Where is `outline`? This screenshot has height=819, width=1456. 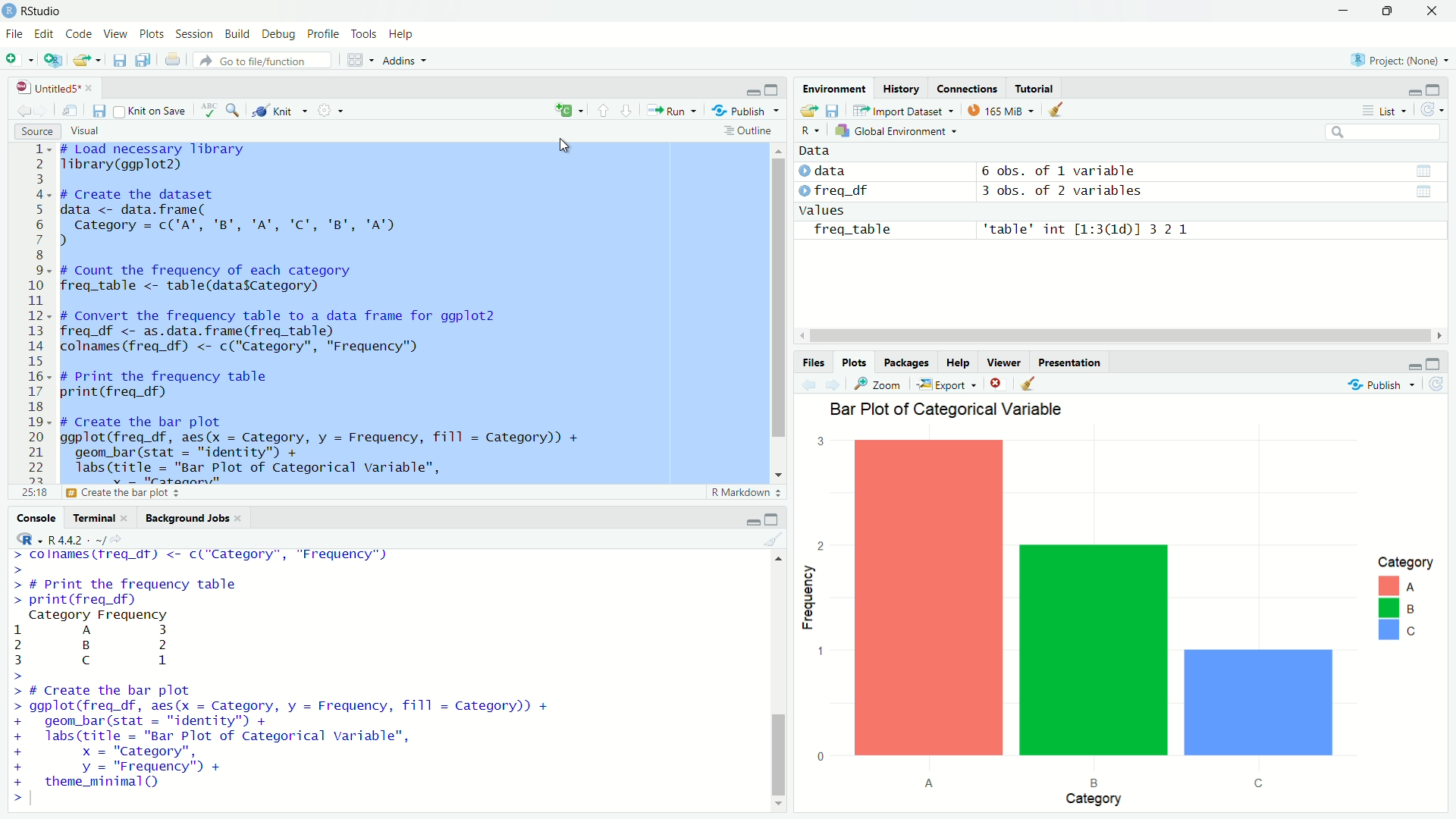 outline is located at coordinates (748, 130).